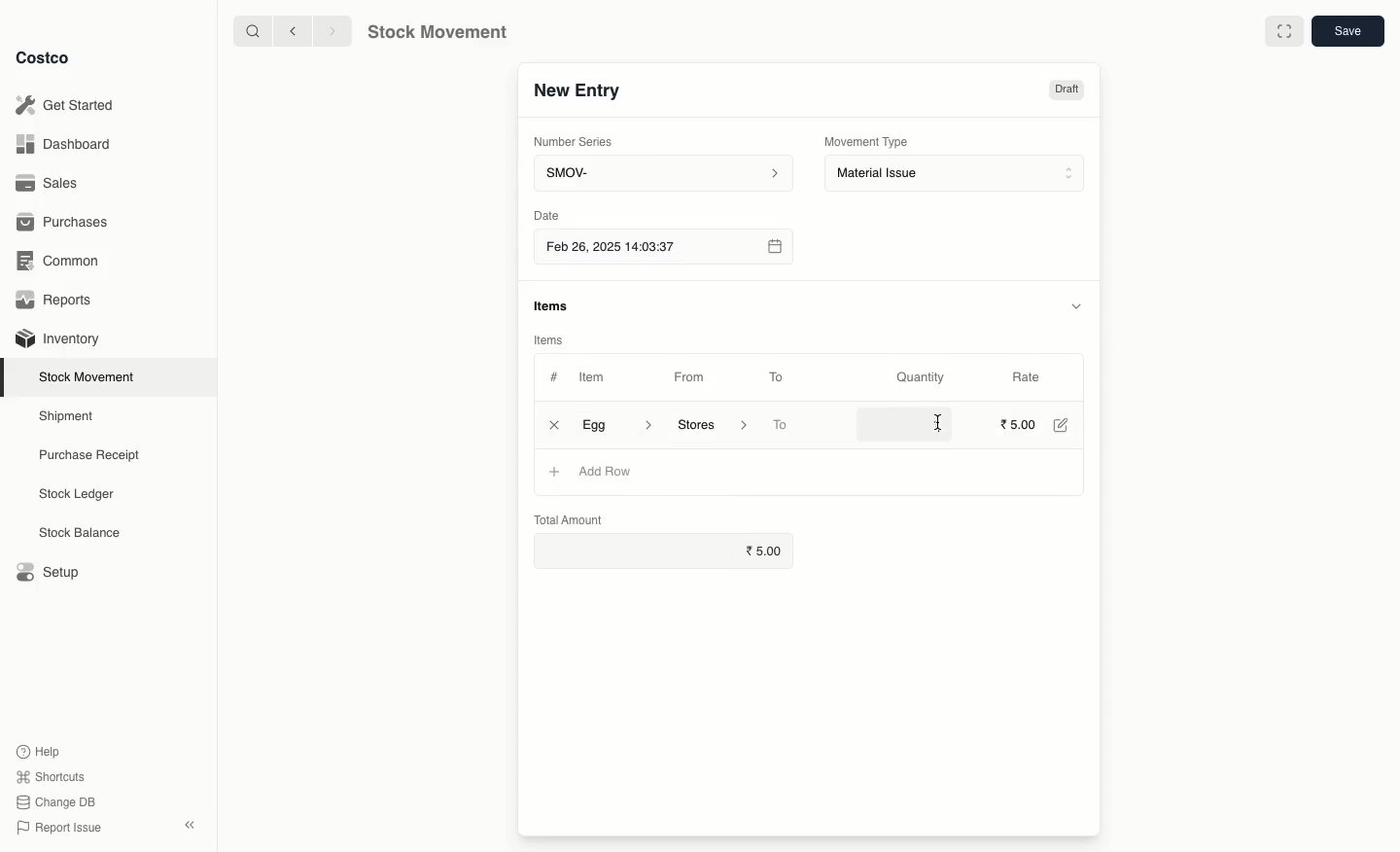 The width and height of the screenshot is (1400, 852). What do you see at coordinates (1019, 424) in the screenshot?
I see `5.00` at bounding box center [1019, 424].